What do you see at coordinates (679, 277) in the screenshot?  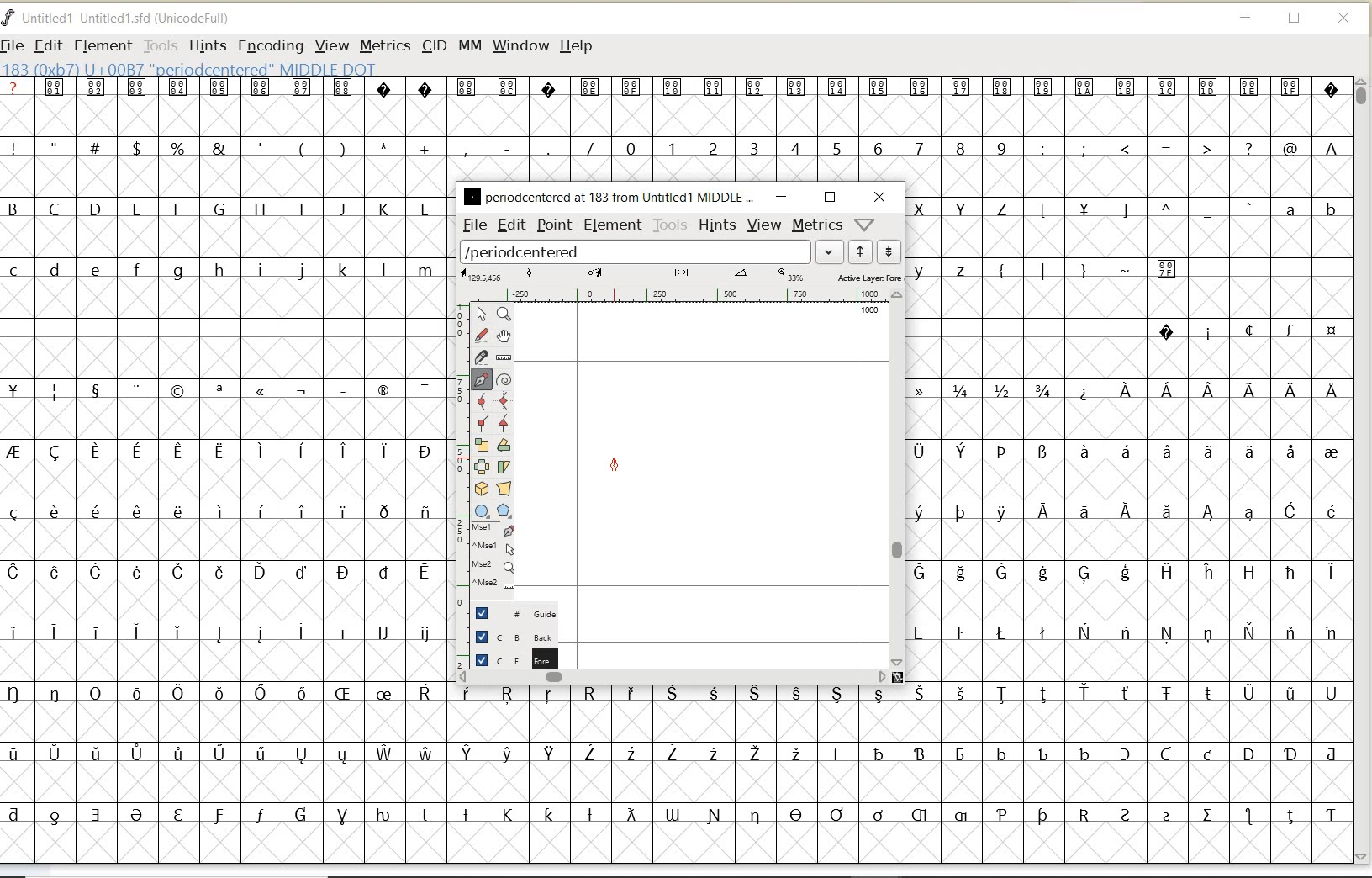 I see `active layer` at bounding box center [679, 277].